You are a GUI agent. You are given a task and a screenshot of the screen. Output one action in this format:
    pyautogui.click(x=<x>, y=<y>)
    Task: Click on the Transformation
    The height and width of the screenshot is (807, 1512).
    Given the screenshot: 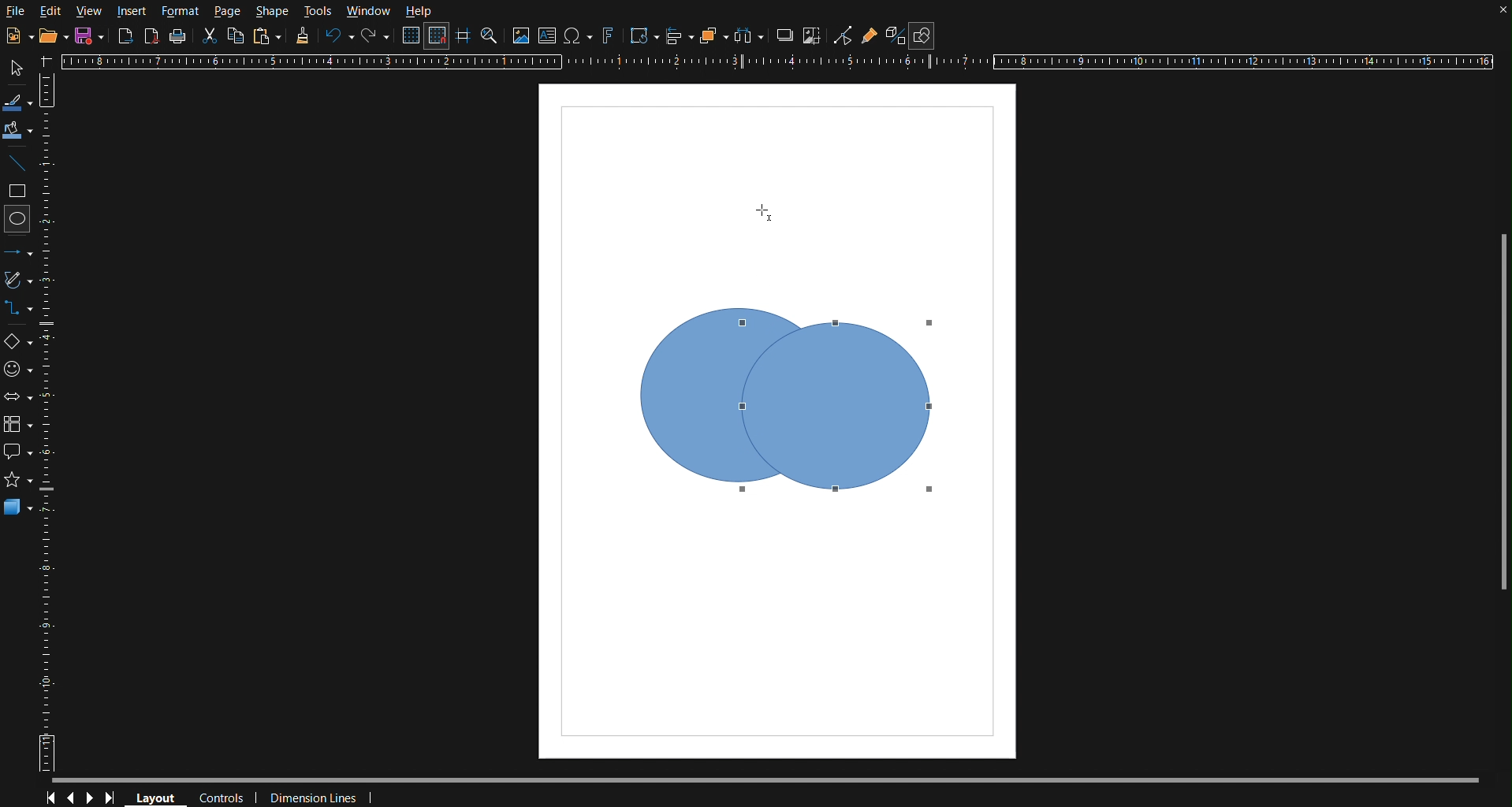 What is the action you would take?
    pyautogui.click(x=643, y=36)
    